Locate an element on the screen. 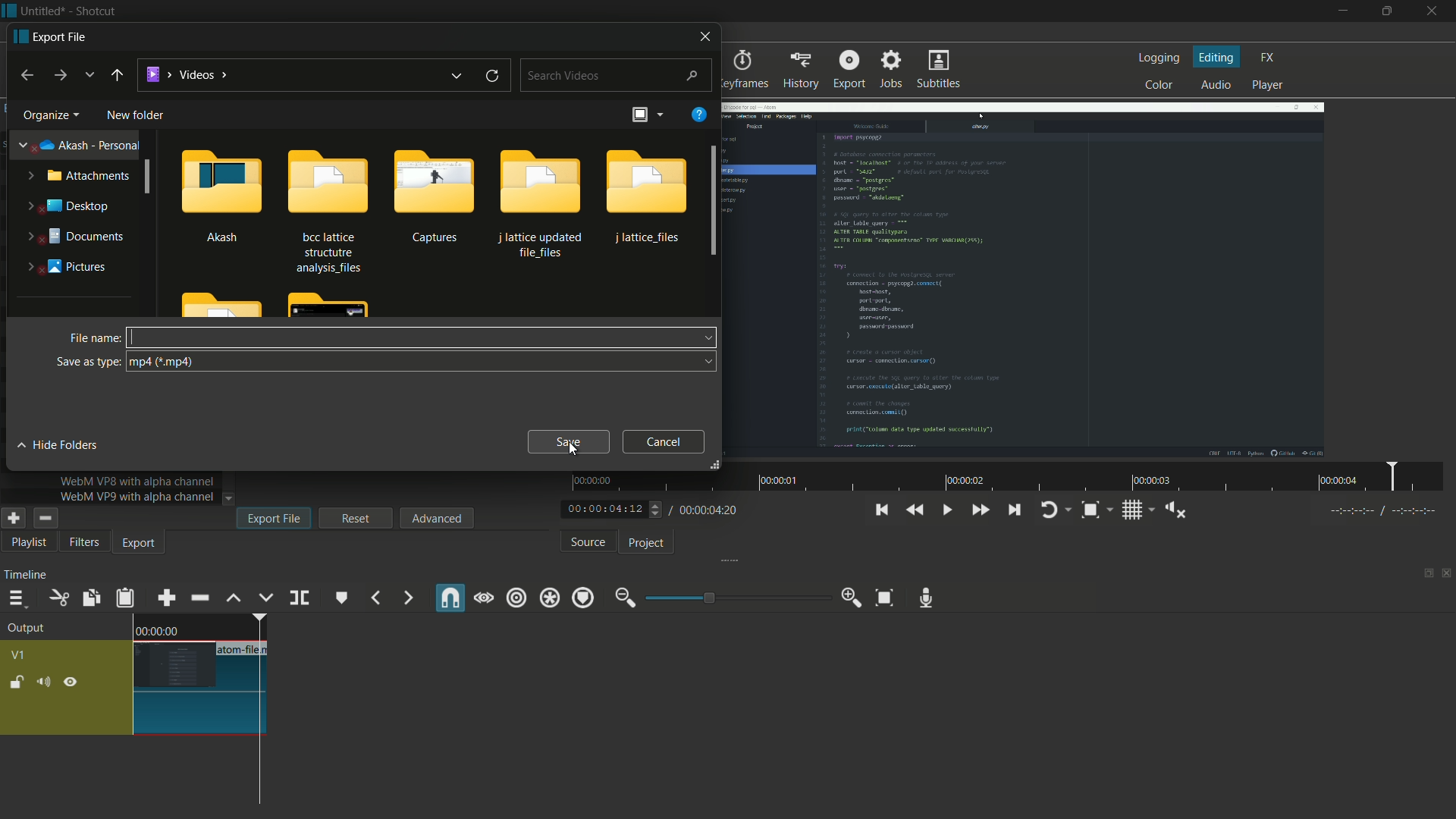  new folder is located at coordinates (135, 115).